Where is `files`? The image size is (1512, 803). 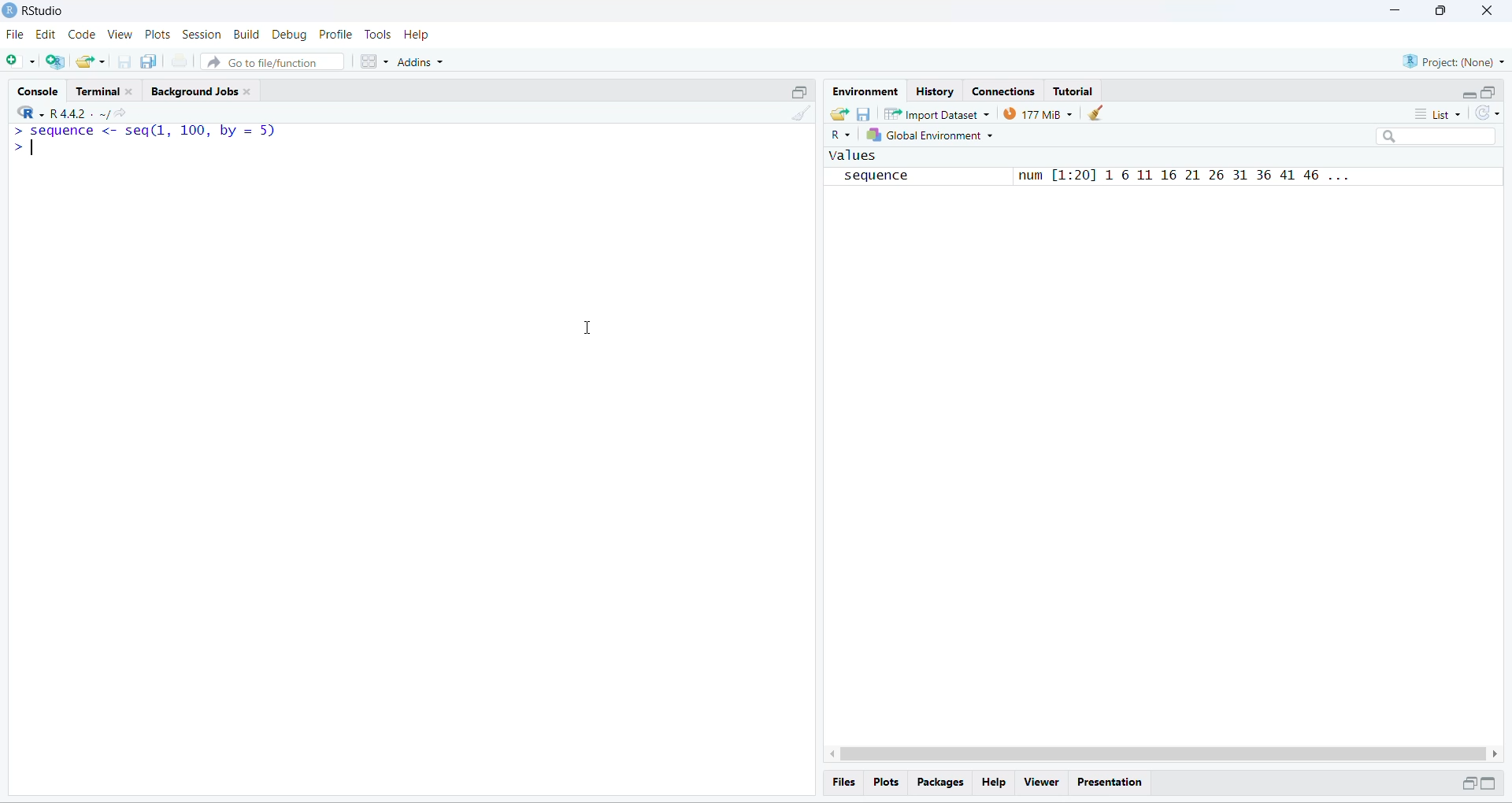 files is located at coordinates (846, 782).